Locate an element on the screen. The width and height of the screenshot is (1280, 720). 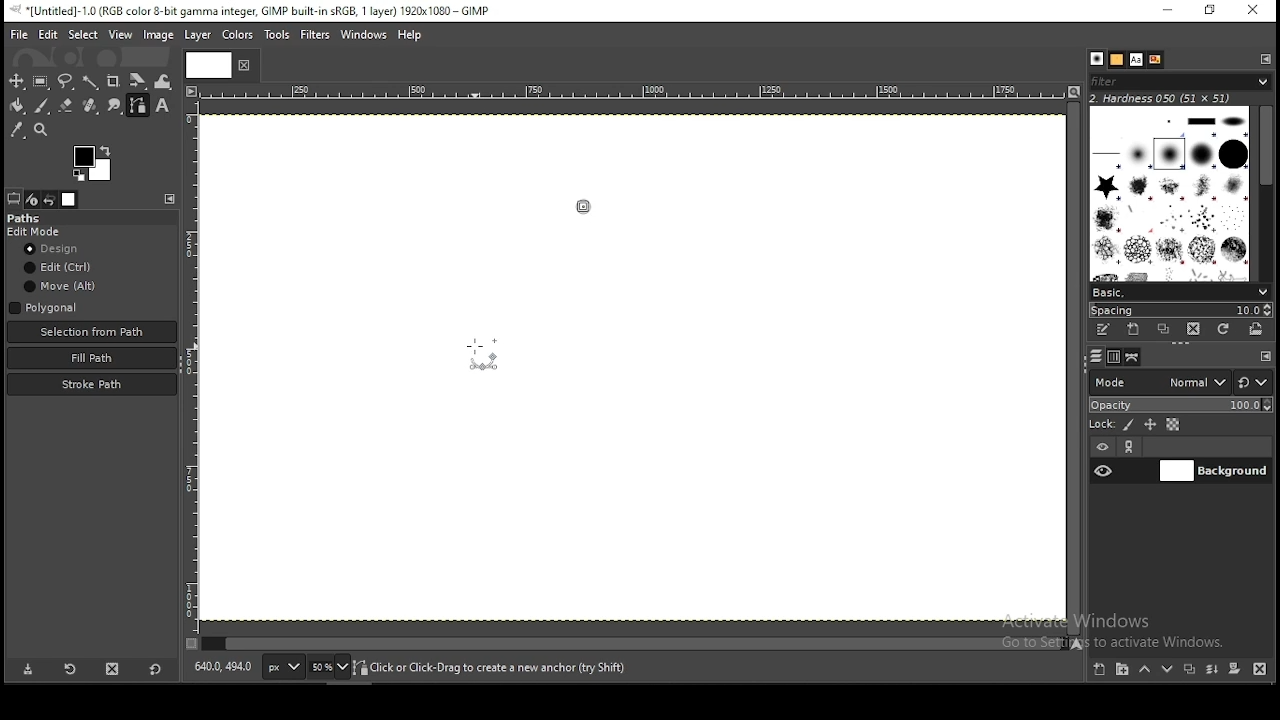
filters is located at coordinates (1184, 83).